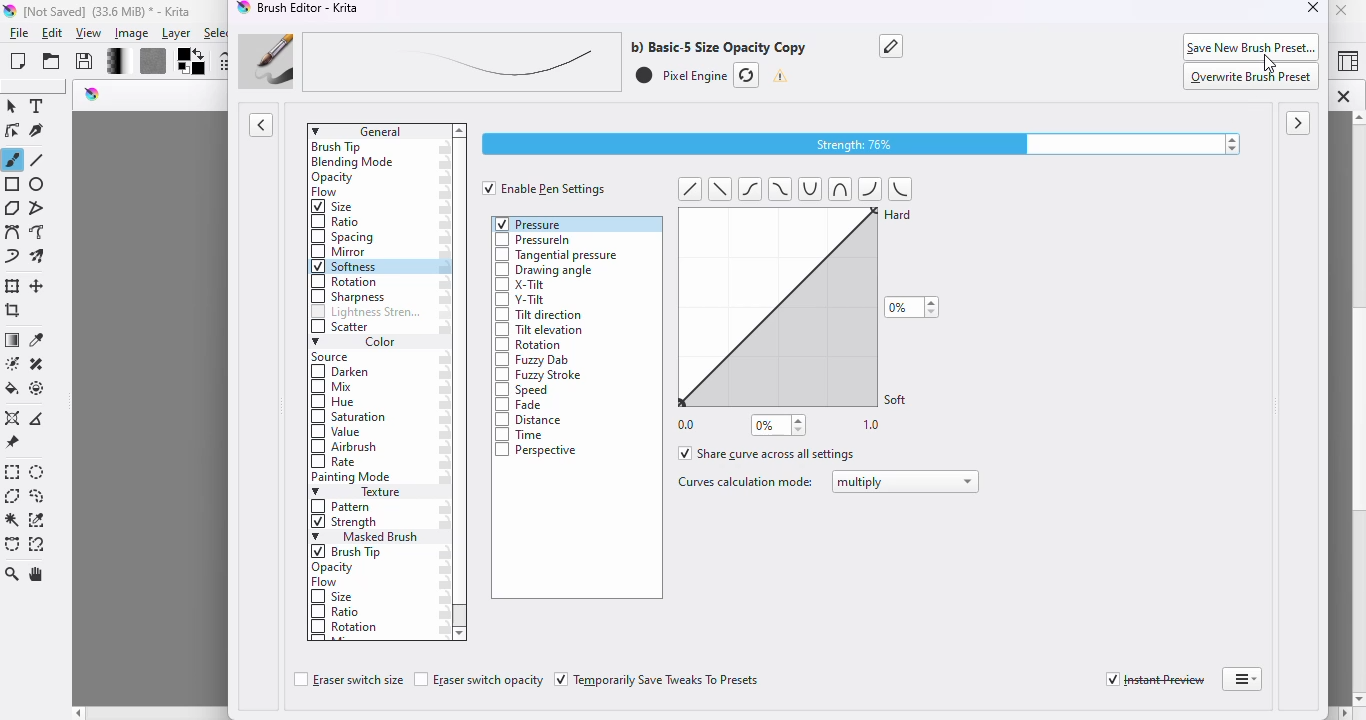 The image size is (1366, 720). What do you see at coordinates (348, 297) in the screenshot?
I see `sharpness` at bounding box center [348, 297].